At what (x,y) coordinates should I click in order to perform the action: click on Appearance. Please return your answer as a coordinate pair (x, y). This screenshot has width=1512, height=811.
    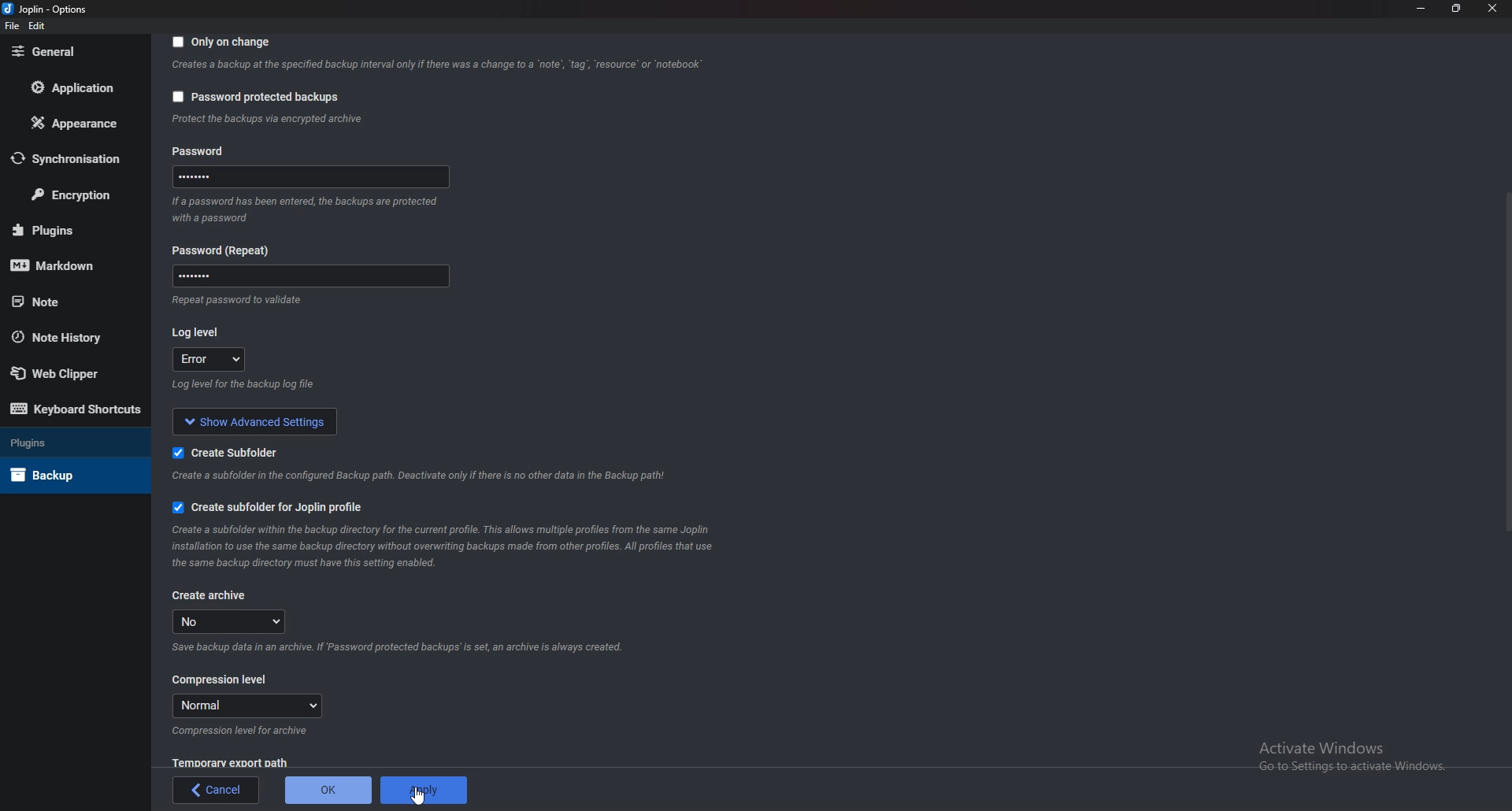
    Looking at the image, I should click on (70, 124).